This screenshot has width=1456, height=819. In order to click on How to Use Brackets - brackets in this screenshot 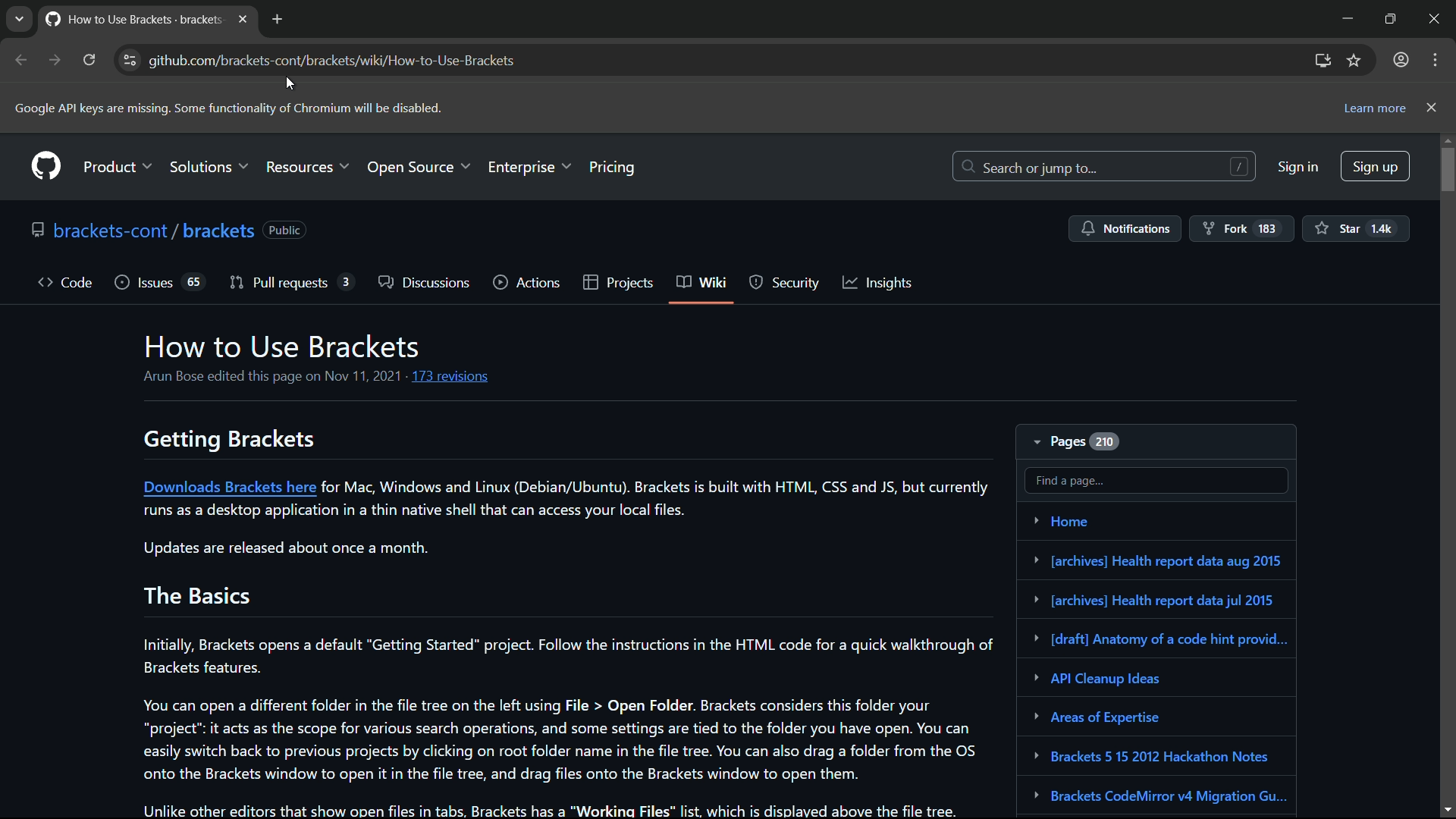, I will do `click(133, 21)`.